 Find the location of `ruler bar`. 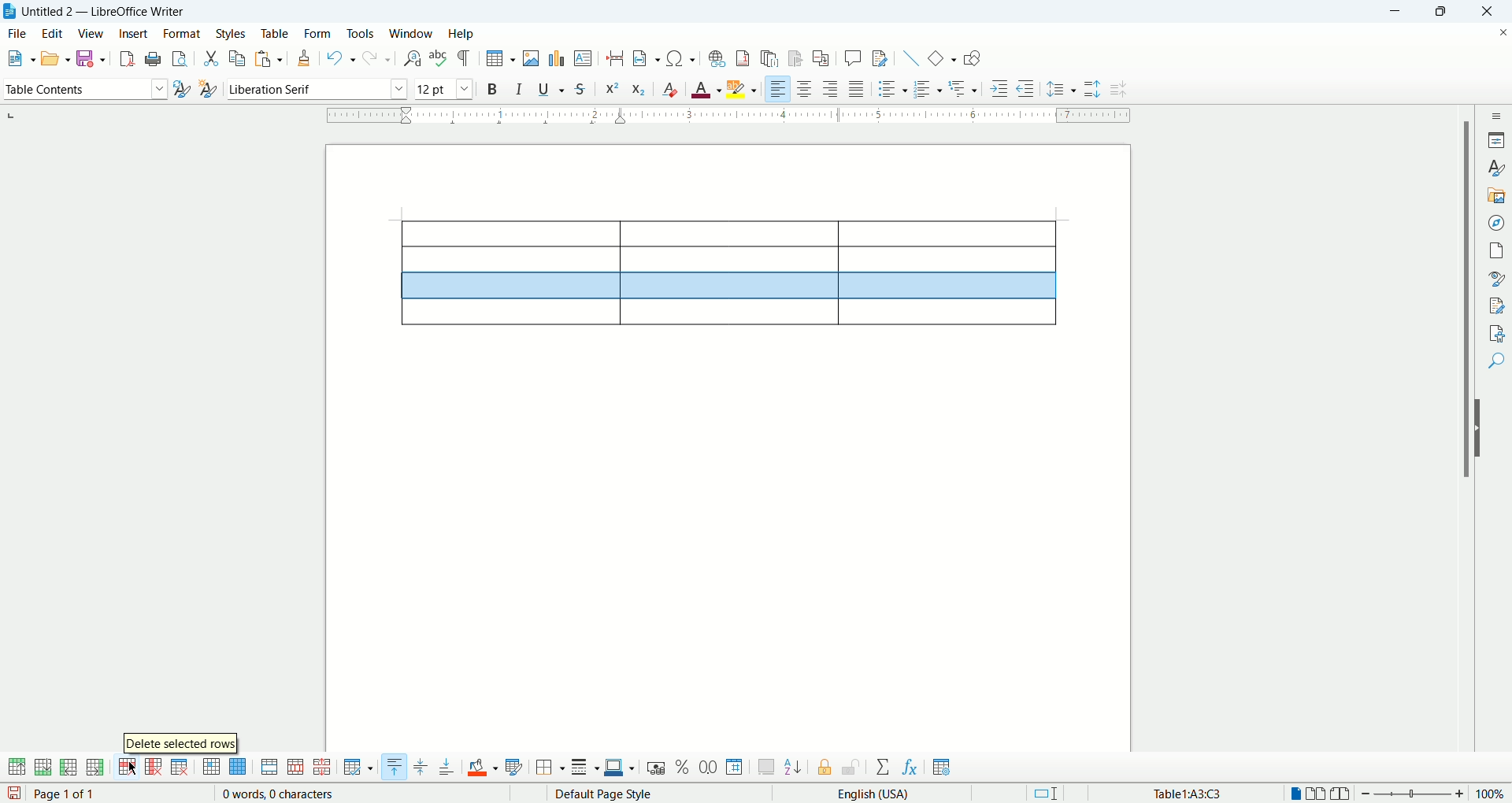

ruler bar is located at coordinates (738, 118).